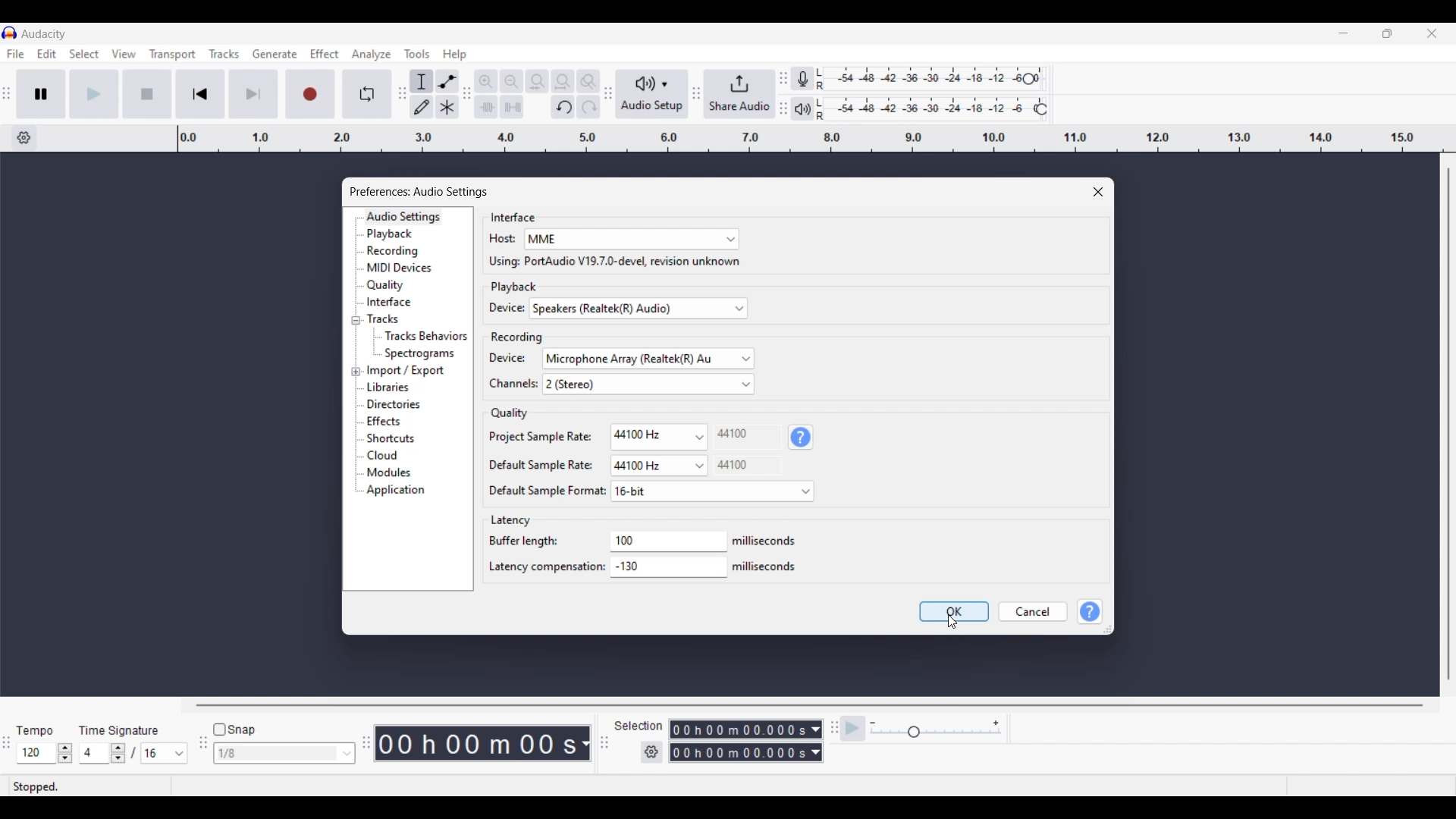 Image resolution: width=1456 pixels, height=819 pixels. Describe the element at coordinates (325, 54) in the screenshot. I see `Effect menu` at that location.